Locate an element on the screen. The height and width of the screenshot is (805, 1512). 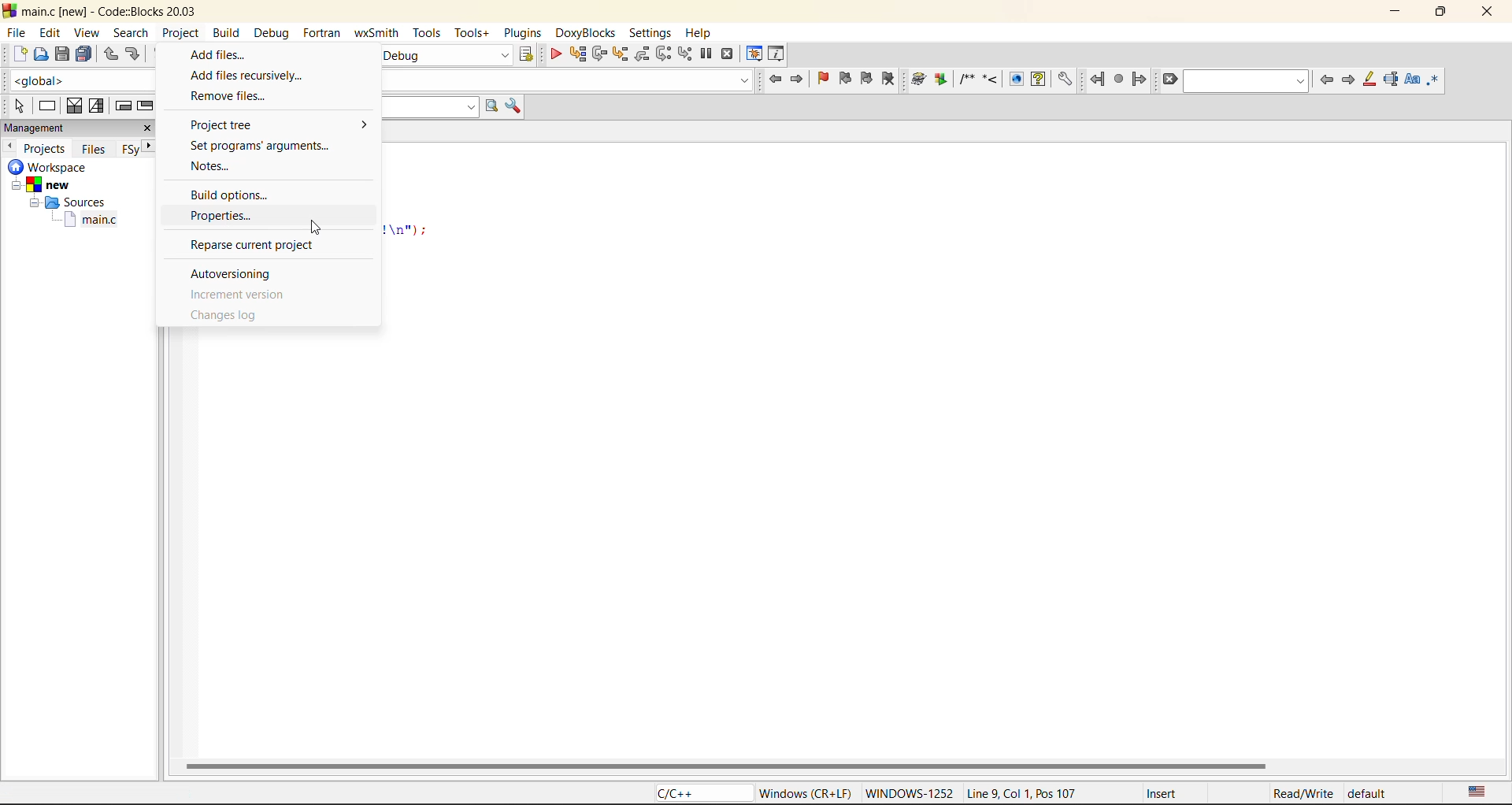
new is located at coordinates (19, 54).